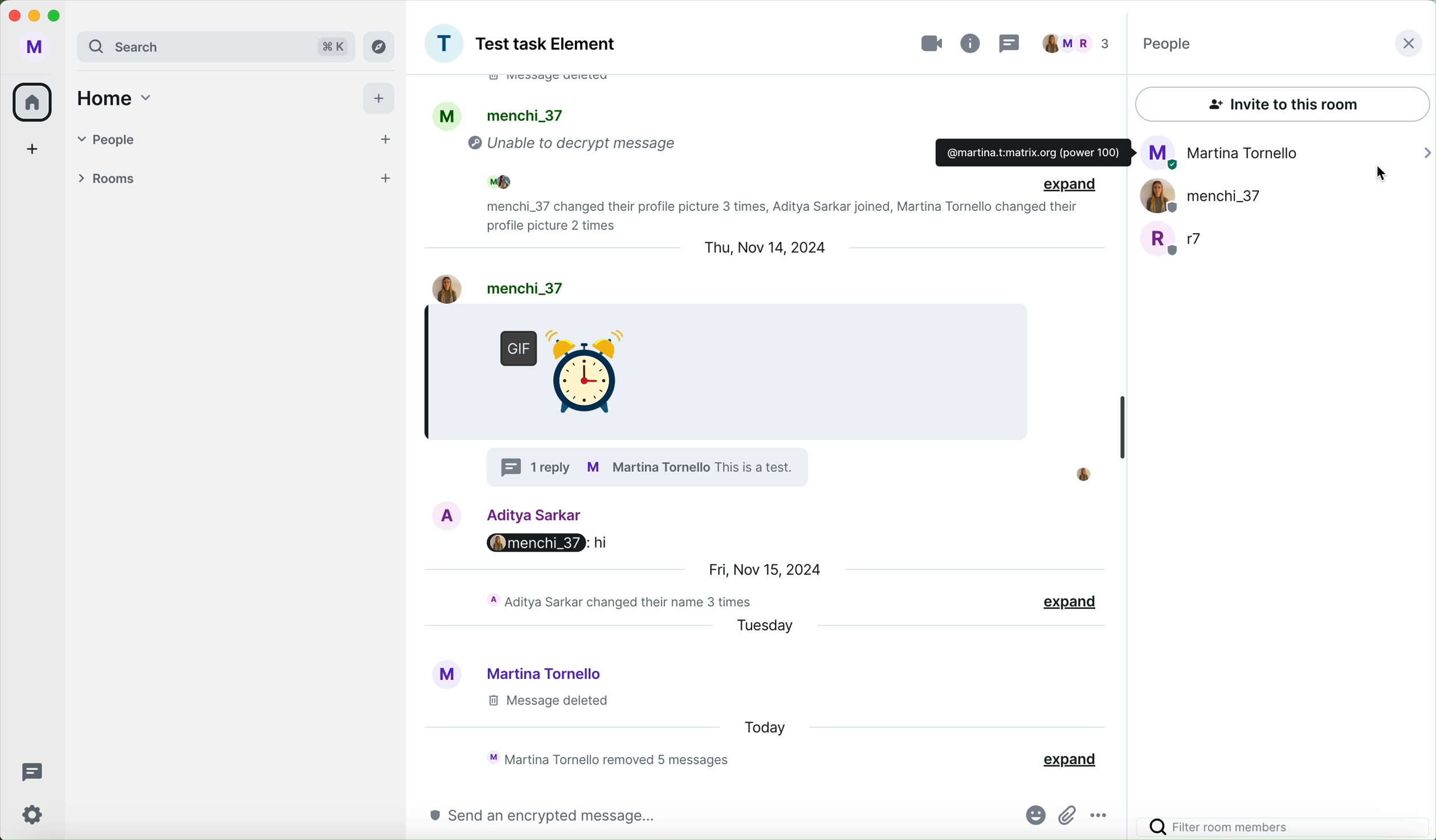  What do you see at coordinates (1408, 44) in the screenshot?
I see `close button` at bounding box center [1408, 44].